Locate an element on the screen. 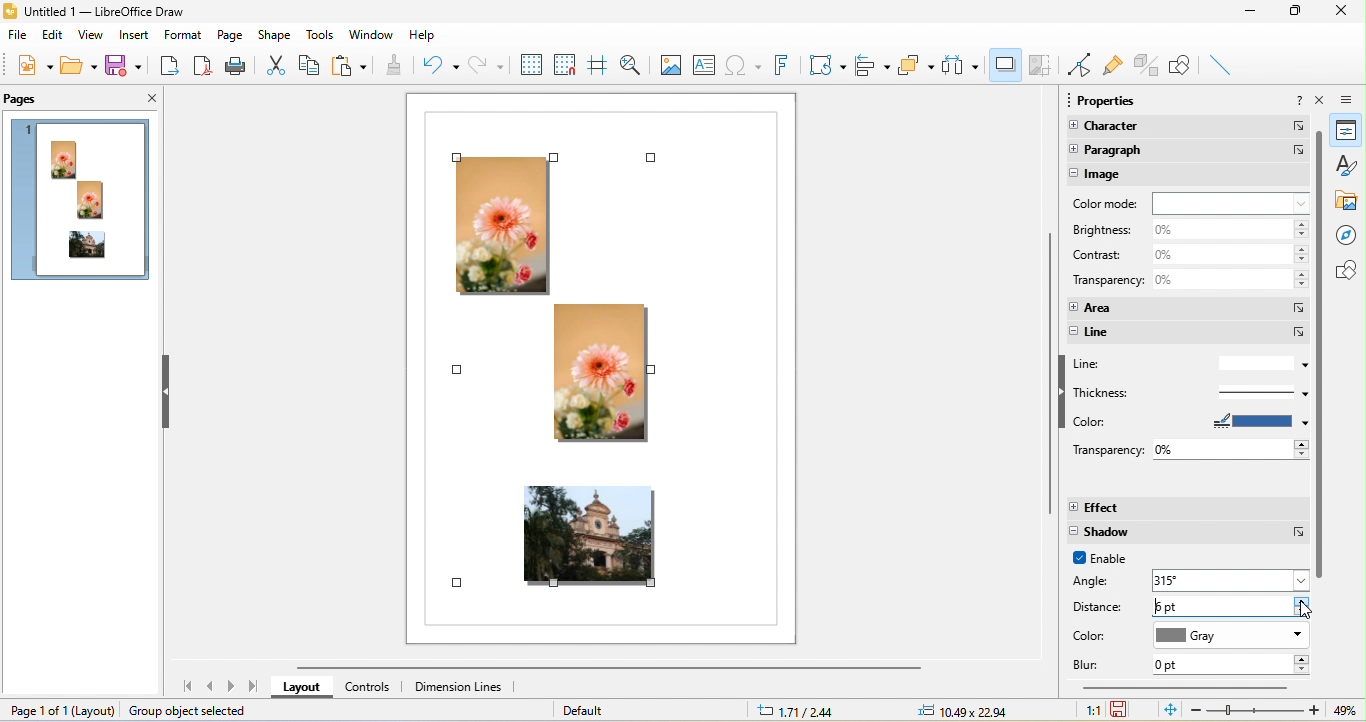 The height and width of the screenshot is (722, 1366). 1:1 is located at coordinates (1086, 710).